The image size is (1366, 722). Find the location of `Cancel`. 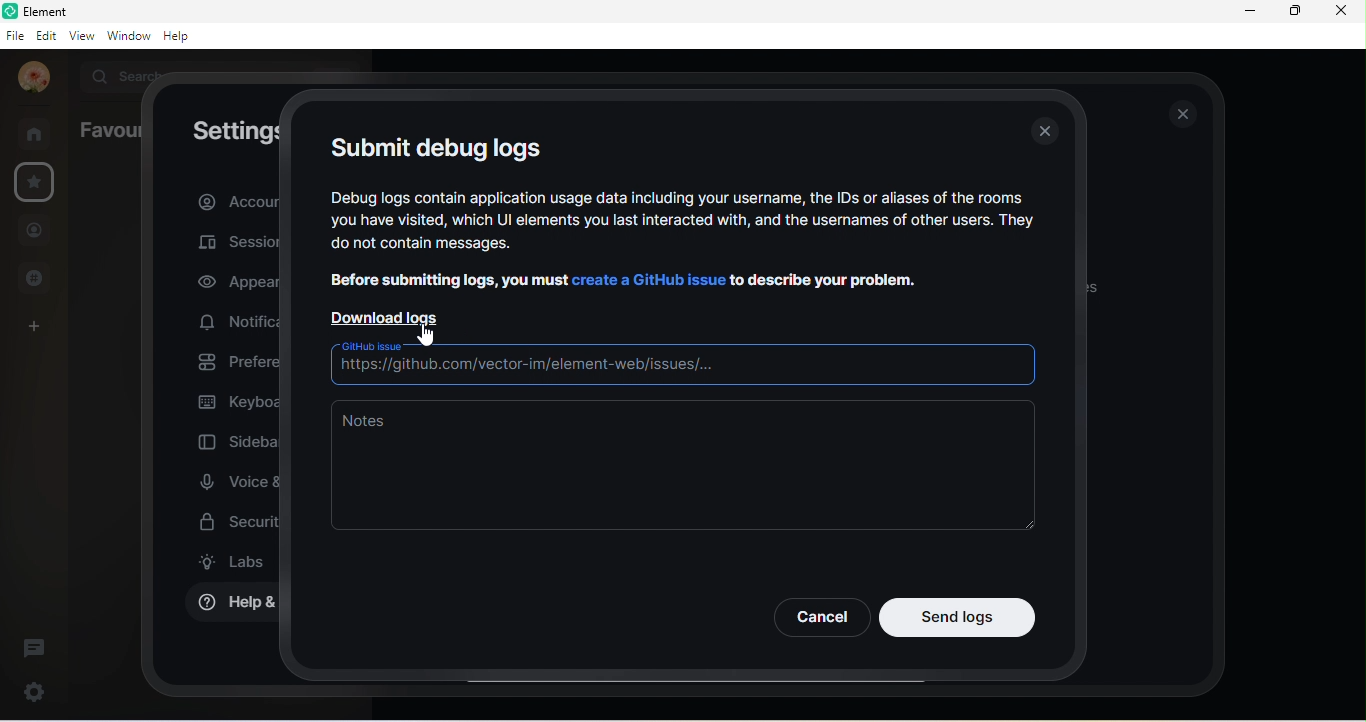

Cancel is located at coordinates (820, 617).